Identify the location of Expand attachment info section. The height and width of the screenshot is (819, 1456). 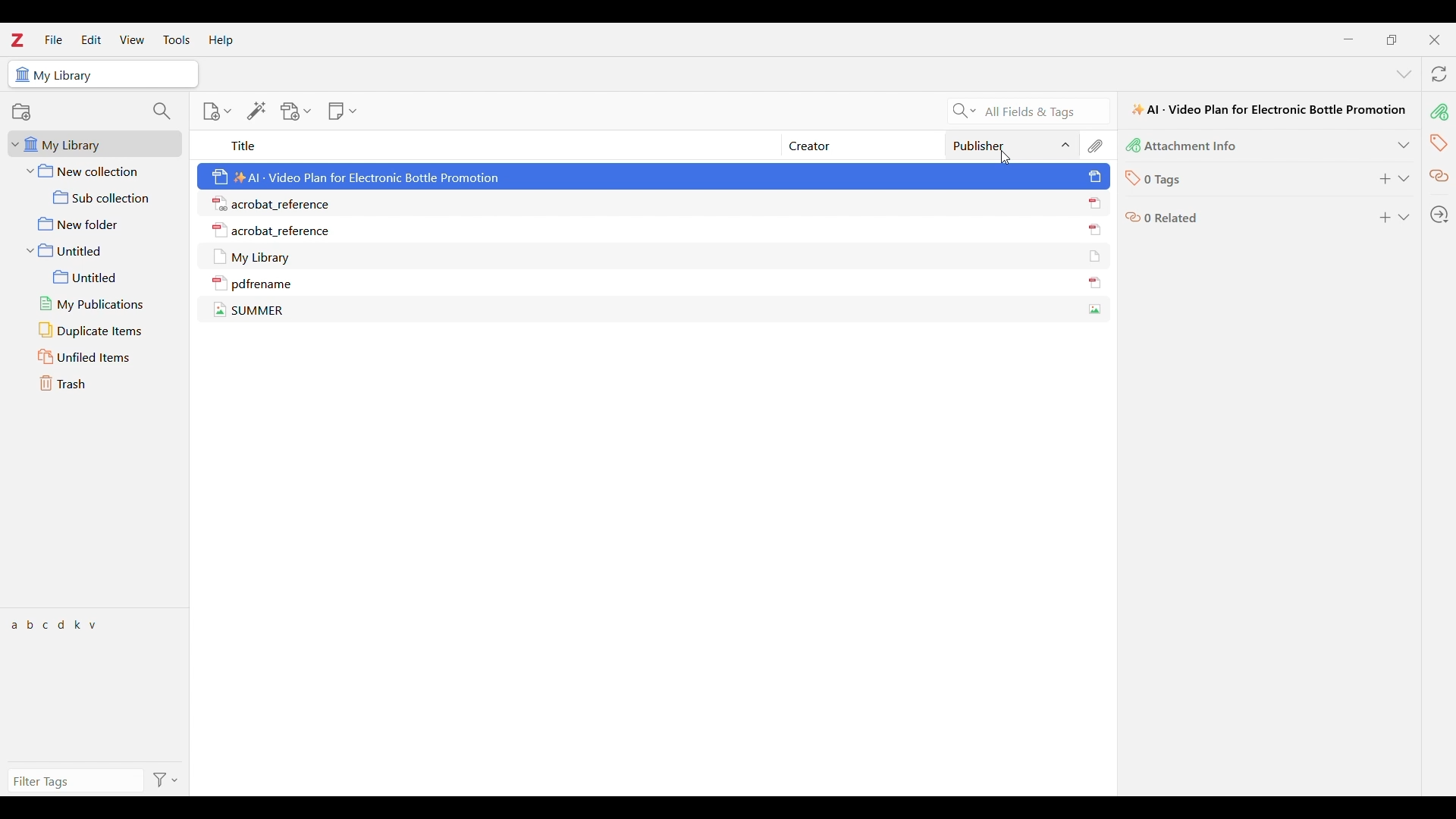
(1404, 146).